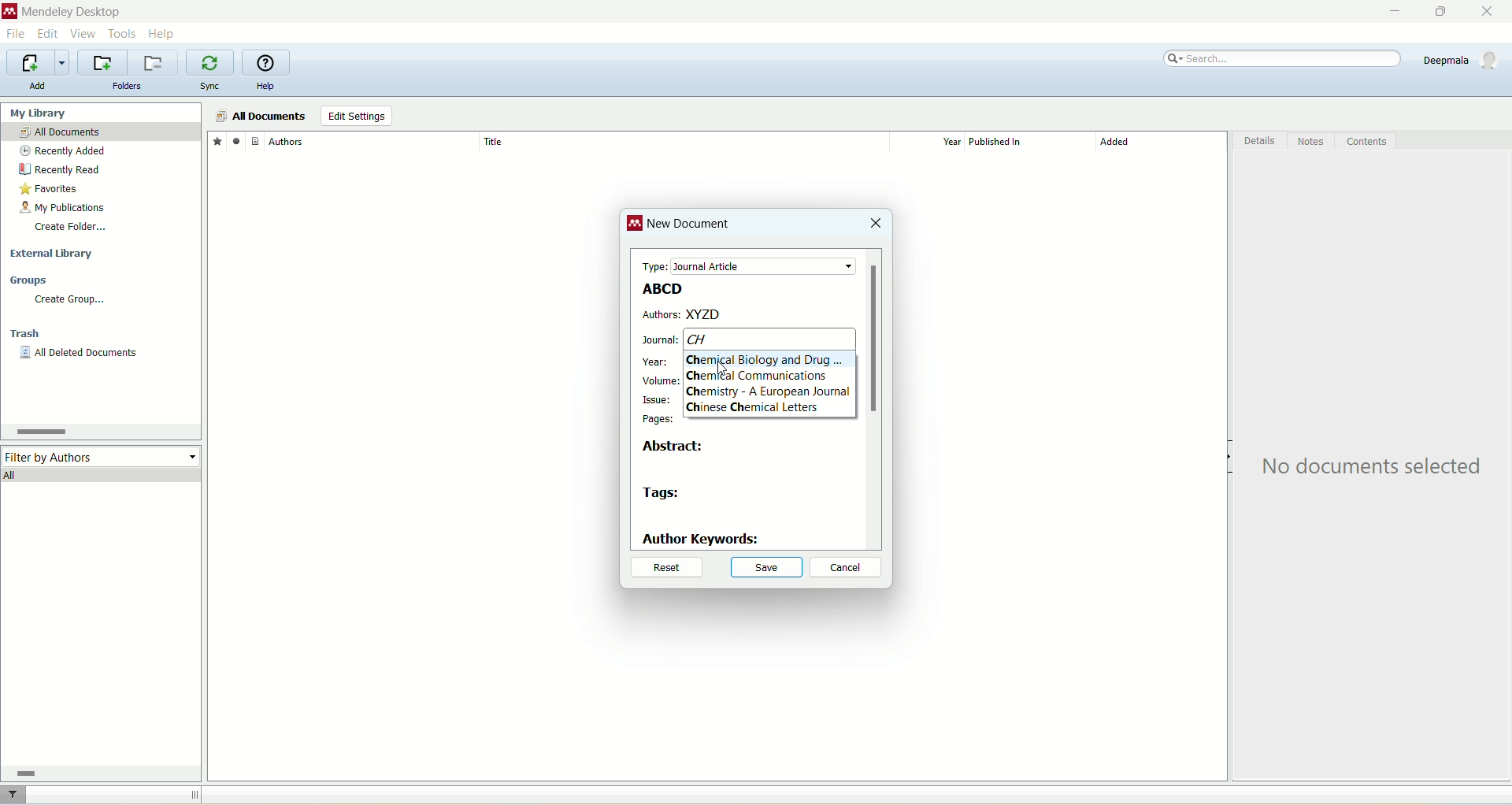 This screenshot has width=1512, height=805. Describe the element at coordinates (80, 354) in the screenshot. I see `all deleted` at that location.